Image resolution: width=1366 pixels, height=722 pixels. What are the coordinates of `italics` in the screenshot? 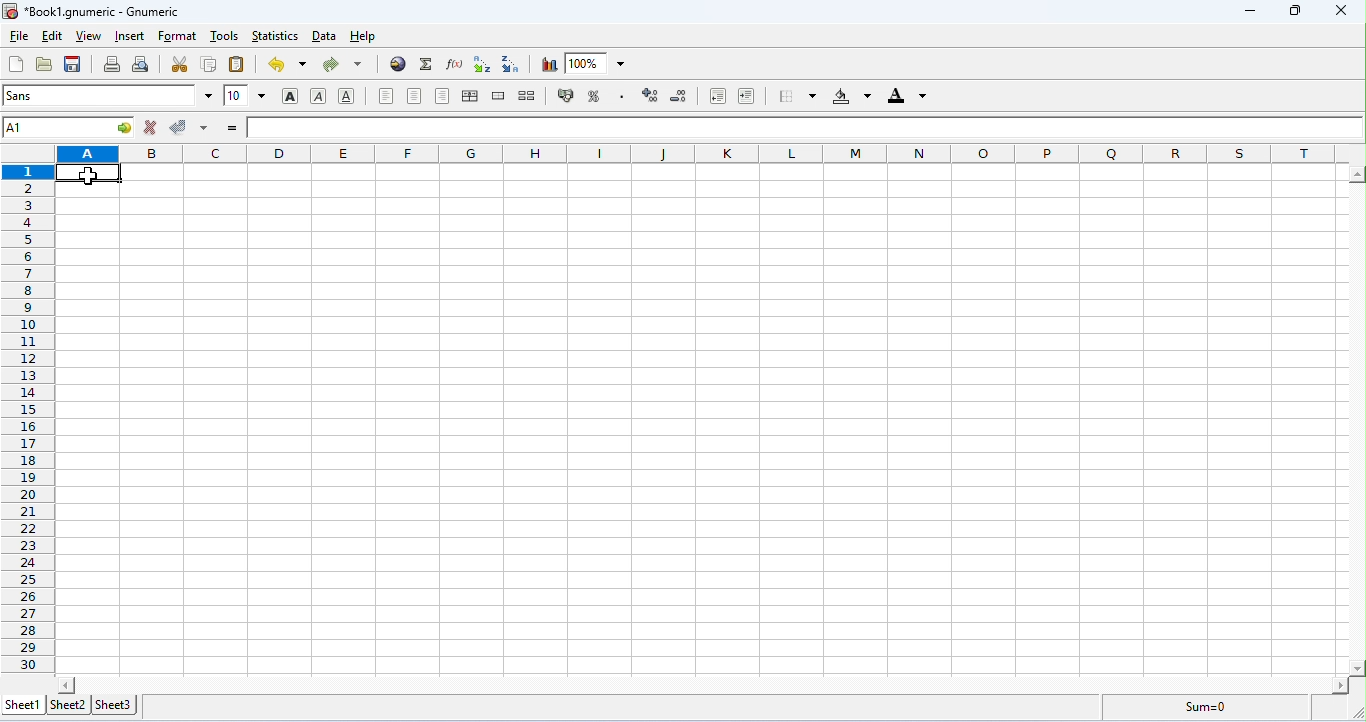 It's located at (320, 96).